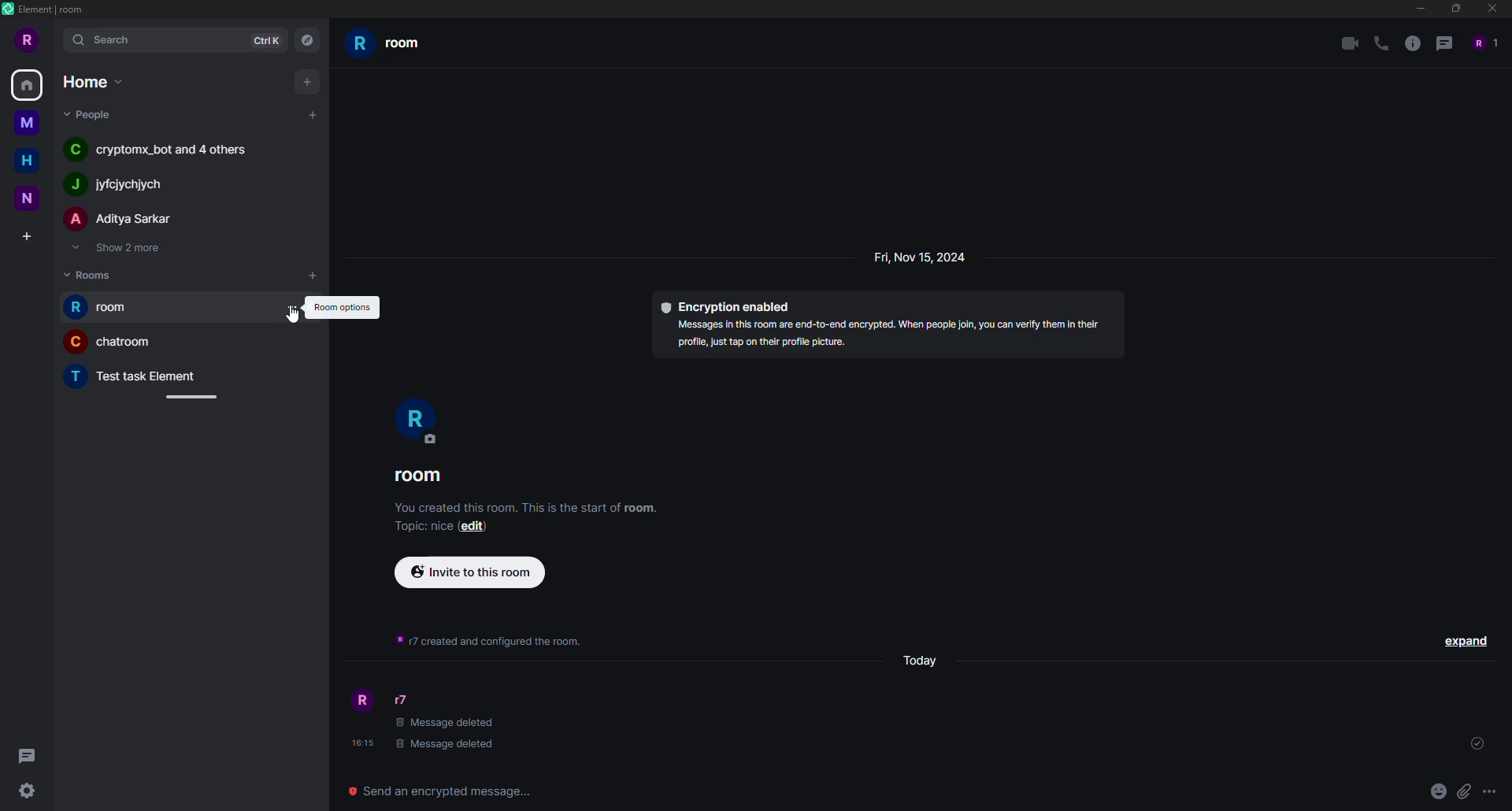  I want to click on OT Bl DPE ERE Pt NE SE IES [SPUR Sy
profile, just tap on their profile picture., so click(882, 339).